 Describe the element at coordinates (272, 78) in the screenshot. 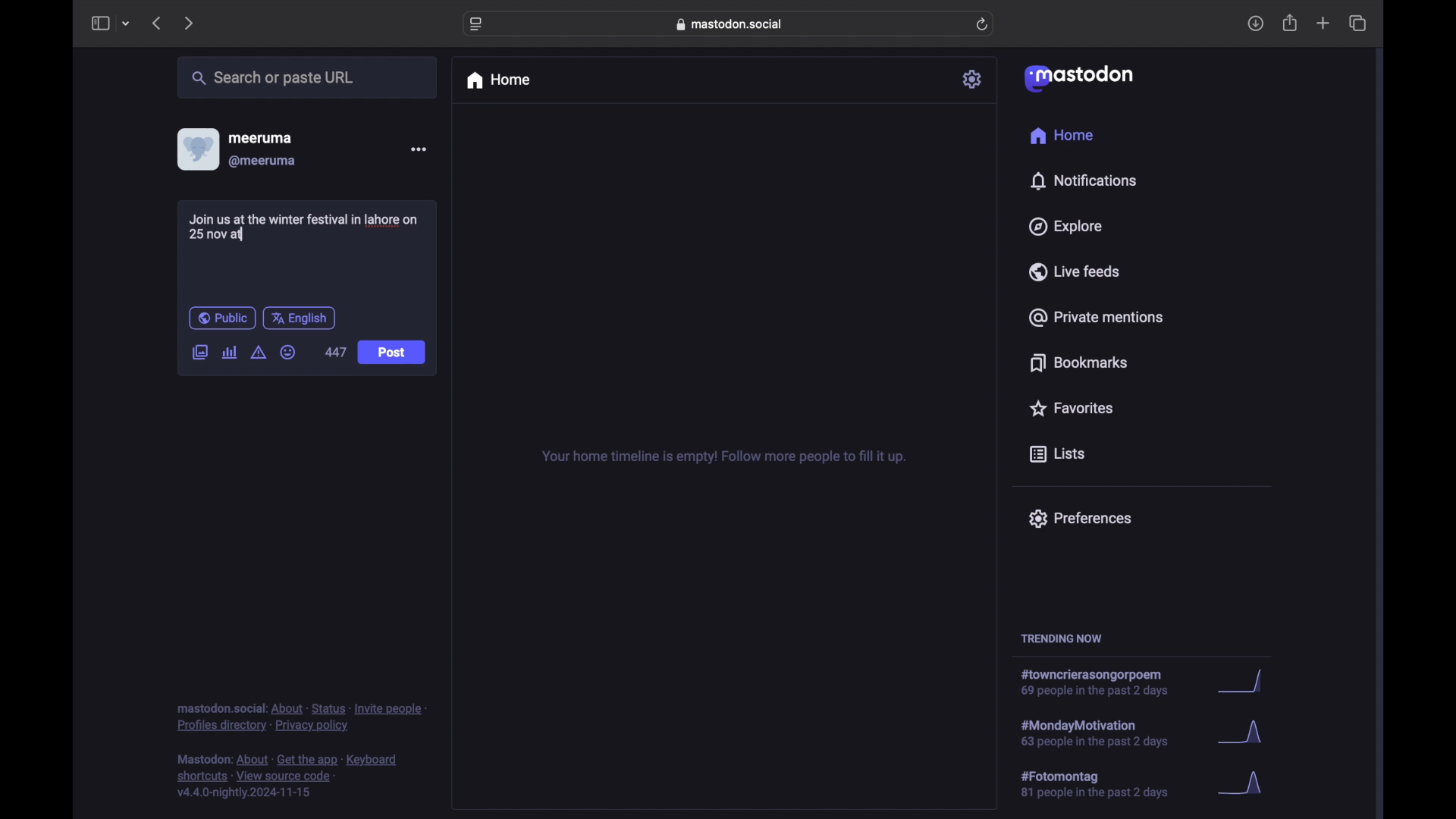

I see `search or paste url` at that location.